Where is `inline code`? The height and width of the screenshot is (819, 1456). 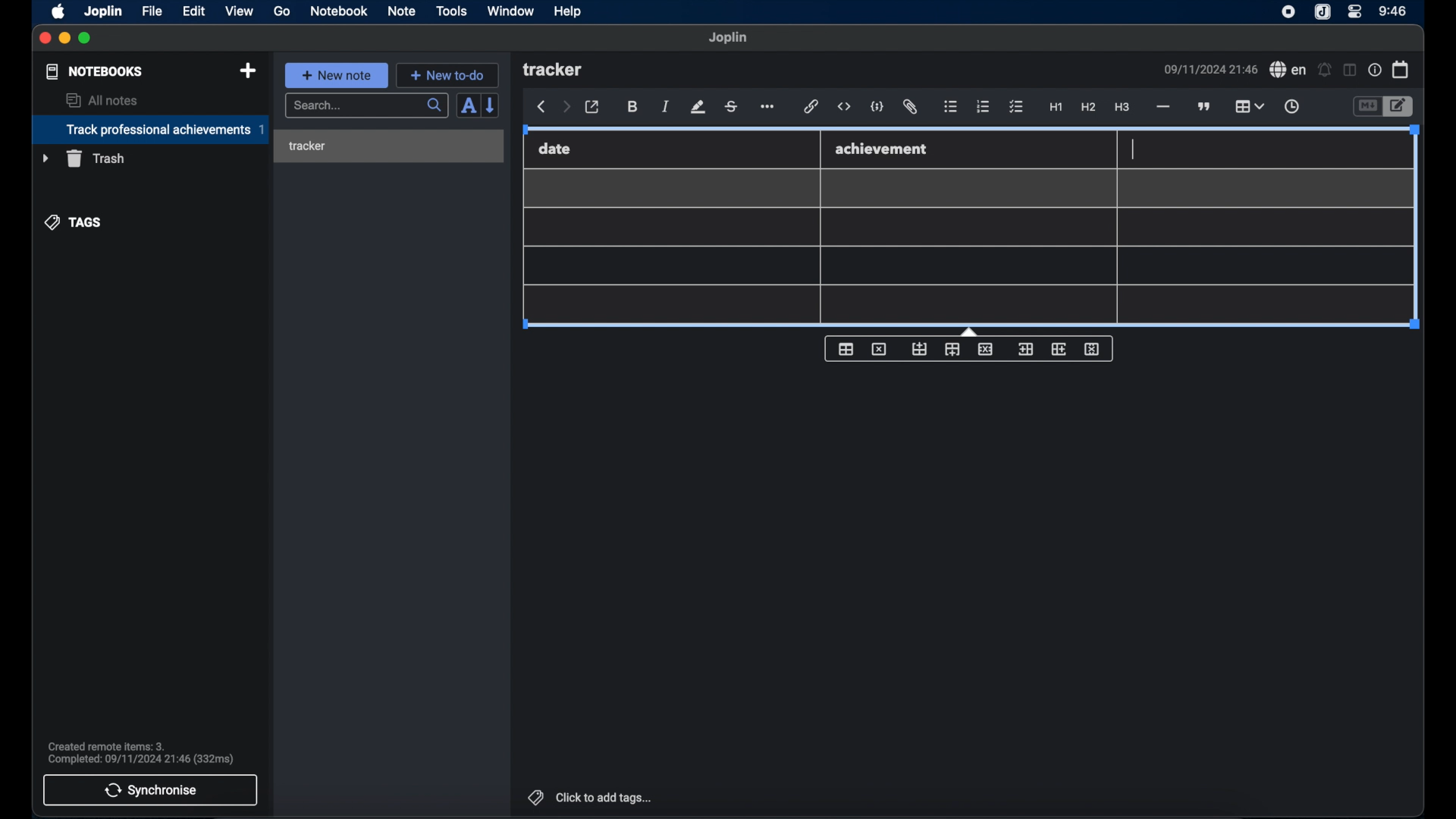
inline code is located at coordinates (844, 107).